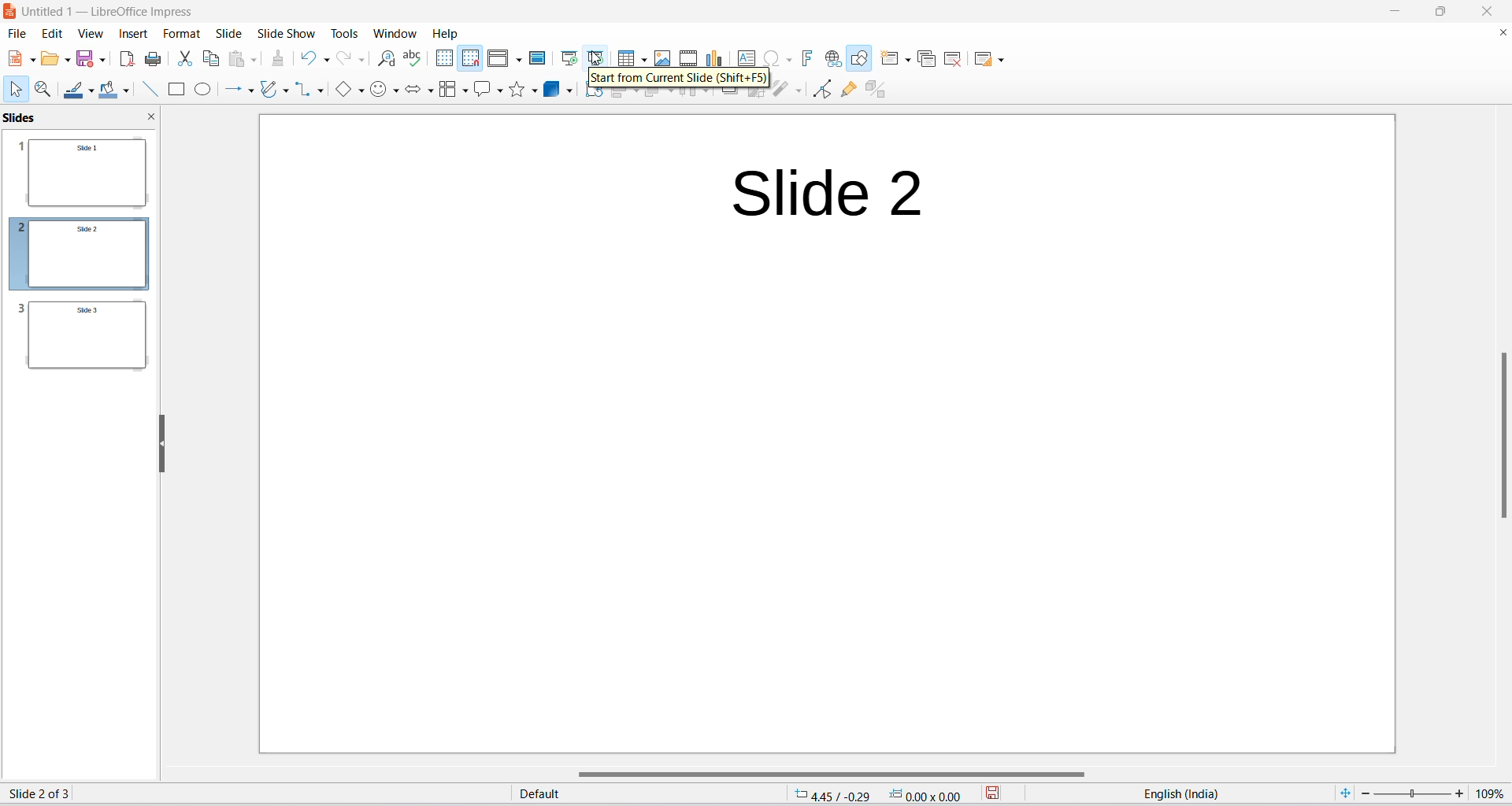 This screenshot has height=806, width=1512. Describe the element at coordinates (50, 35) in the screenshot. I see `edit` at that location.